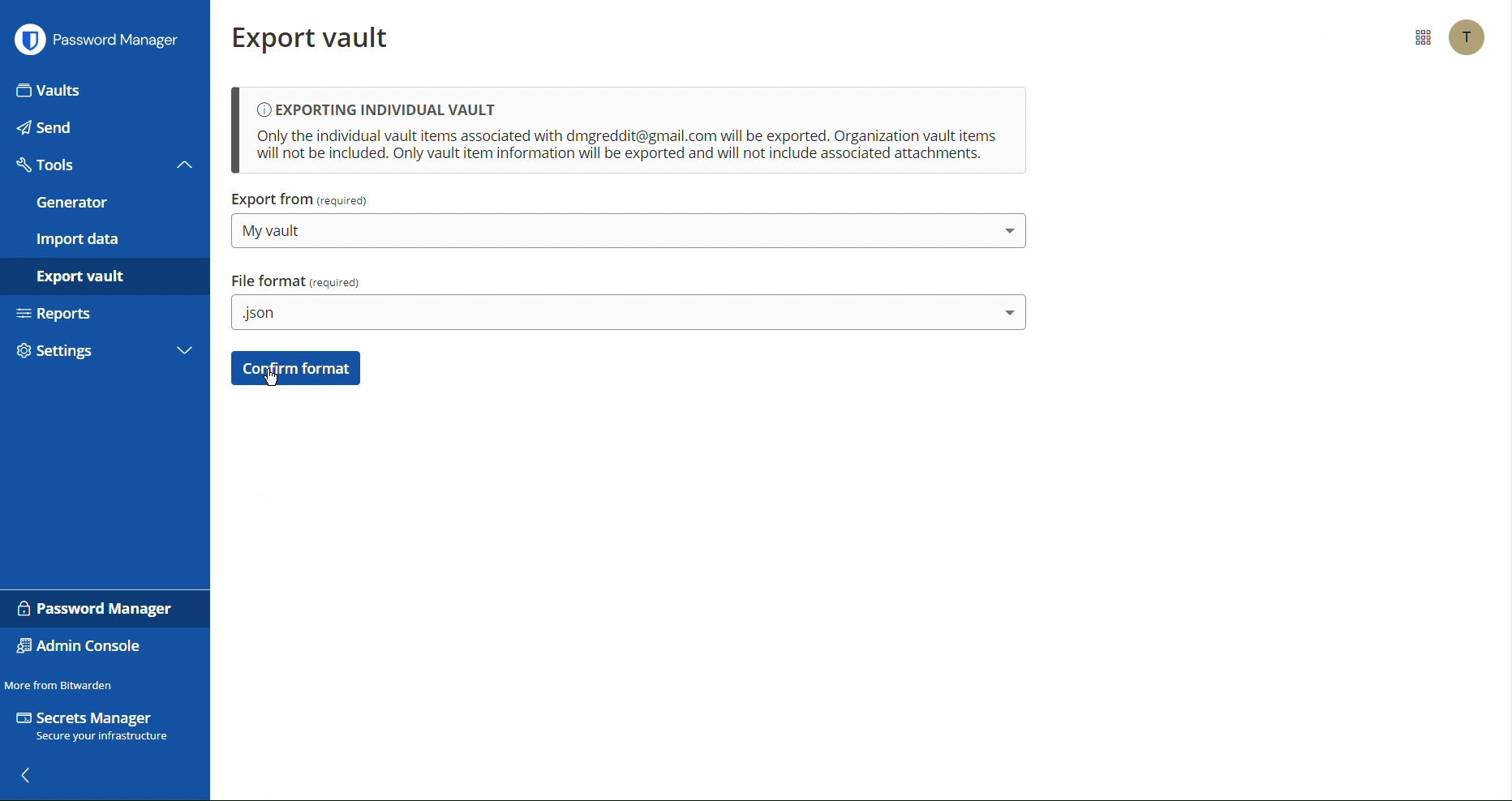 This screenshot has height=801, width=1512. I want to click on Send, so click(99, 129).